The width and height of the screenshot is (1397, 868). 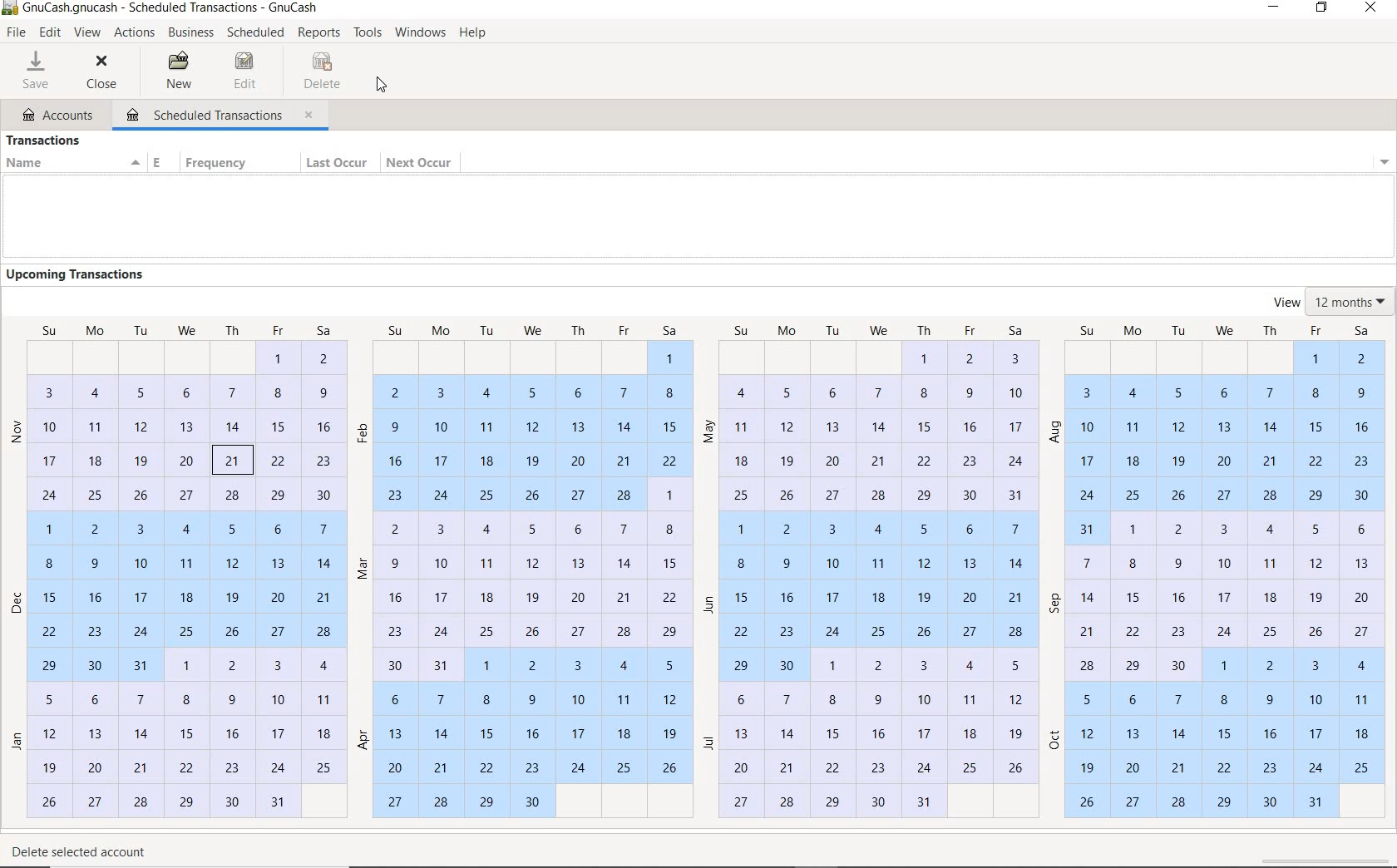 What do you see at coordinates (1275, 7) in the screenshot?
I see `MINIMIZE` at bounding box center [1275, 7].